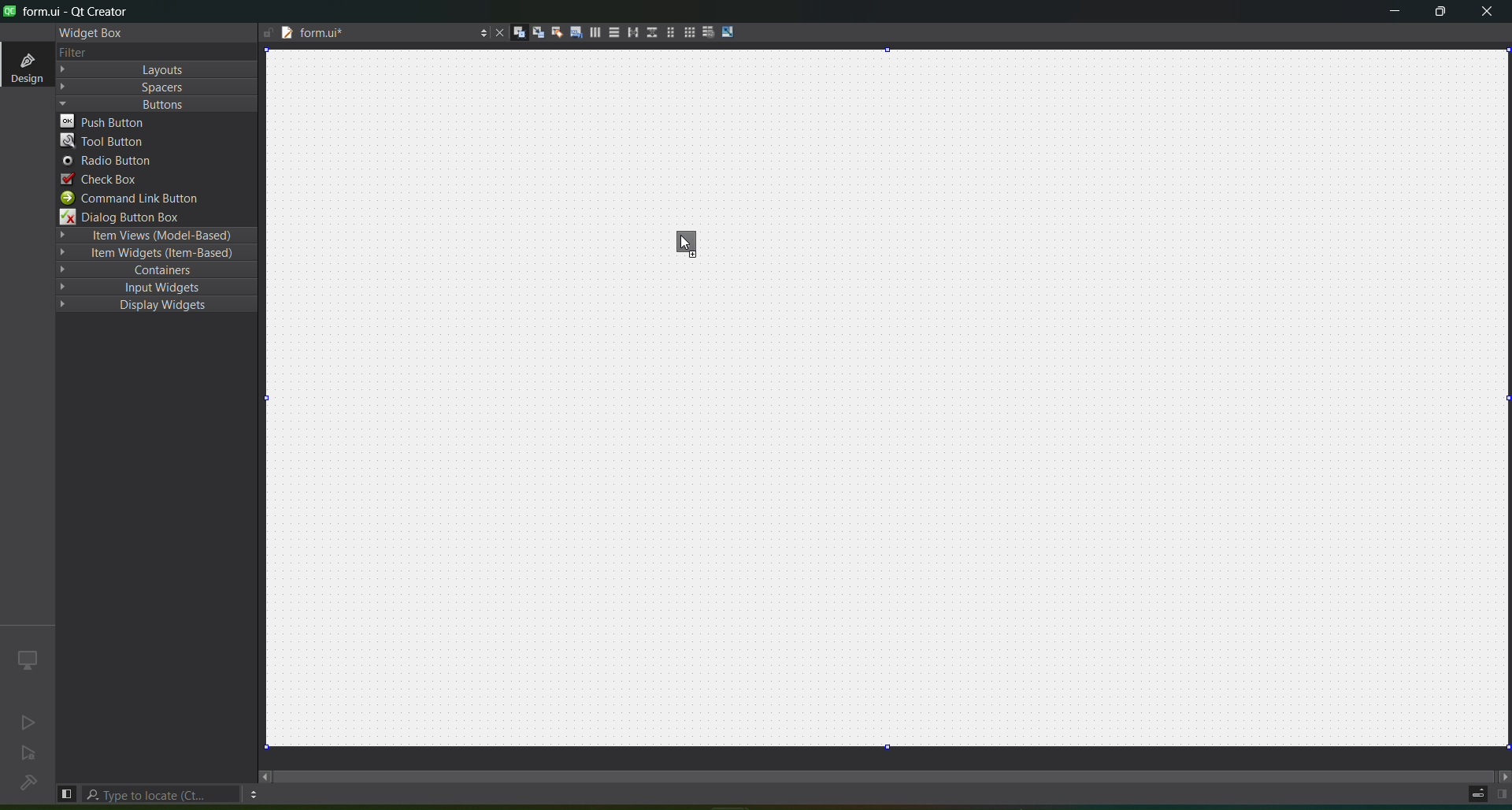 This screenshot has height=810, width=1512. What do you see at coordinates (1502, 793) in the screenshot?
I see `show right panel` at bounding box center [1502, 793].